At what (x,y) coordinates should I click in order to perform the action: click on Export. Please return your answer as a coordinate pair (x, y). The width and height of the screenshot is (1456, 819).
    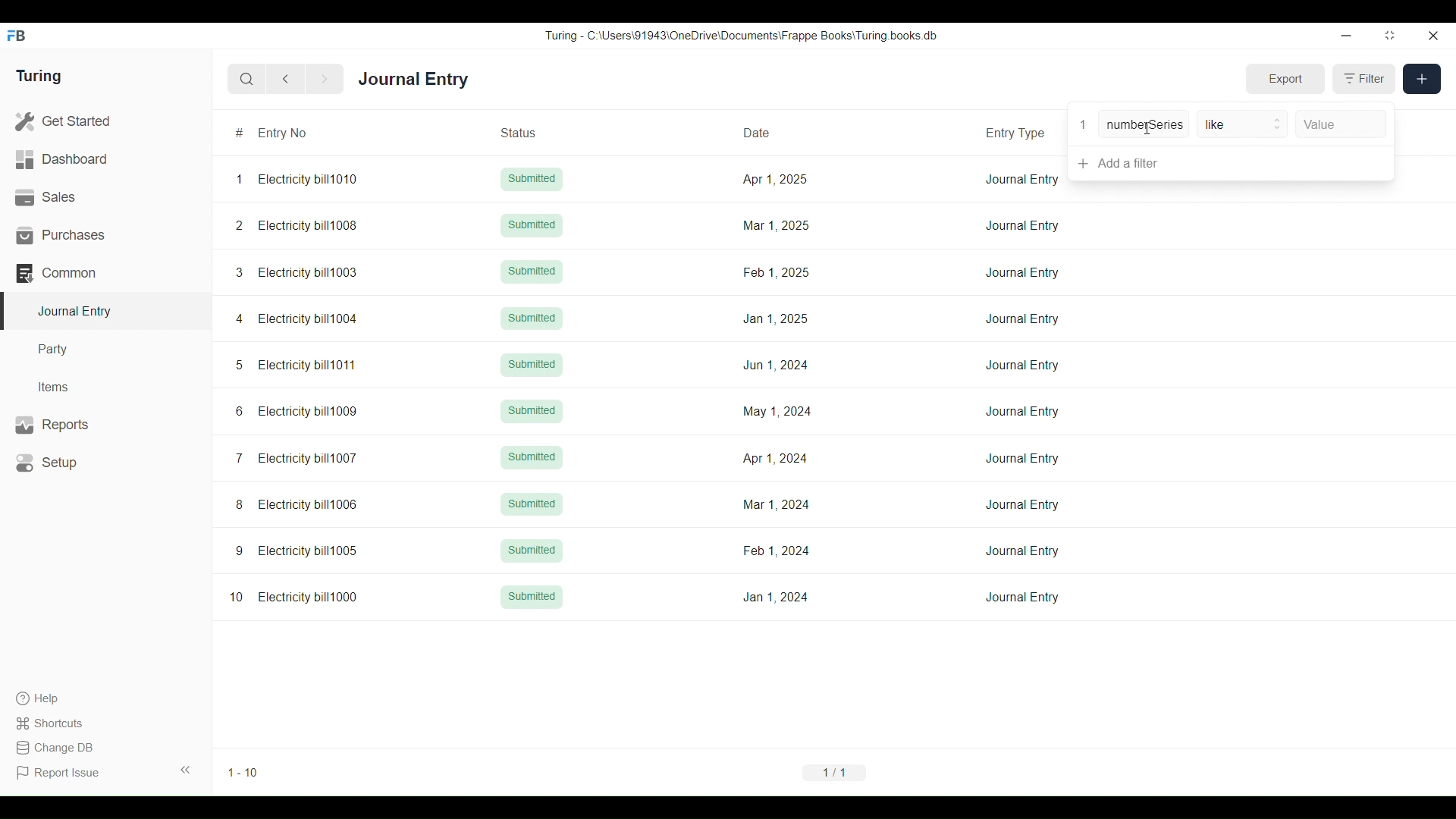
    Looking at the image, I should click on (1286, 79).